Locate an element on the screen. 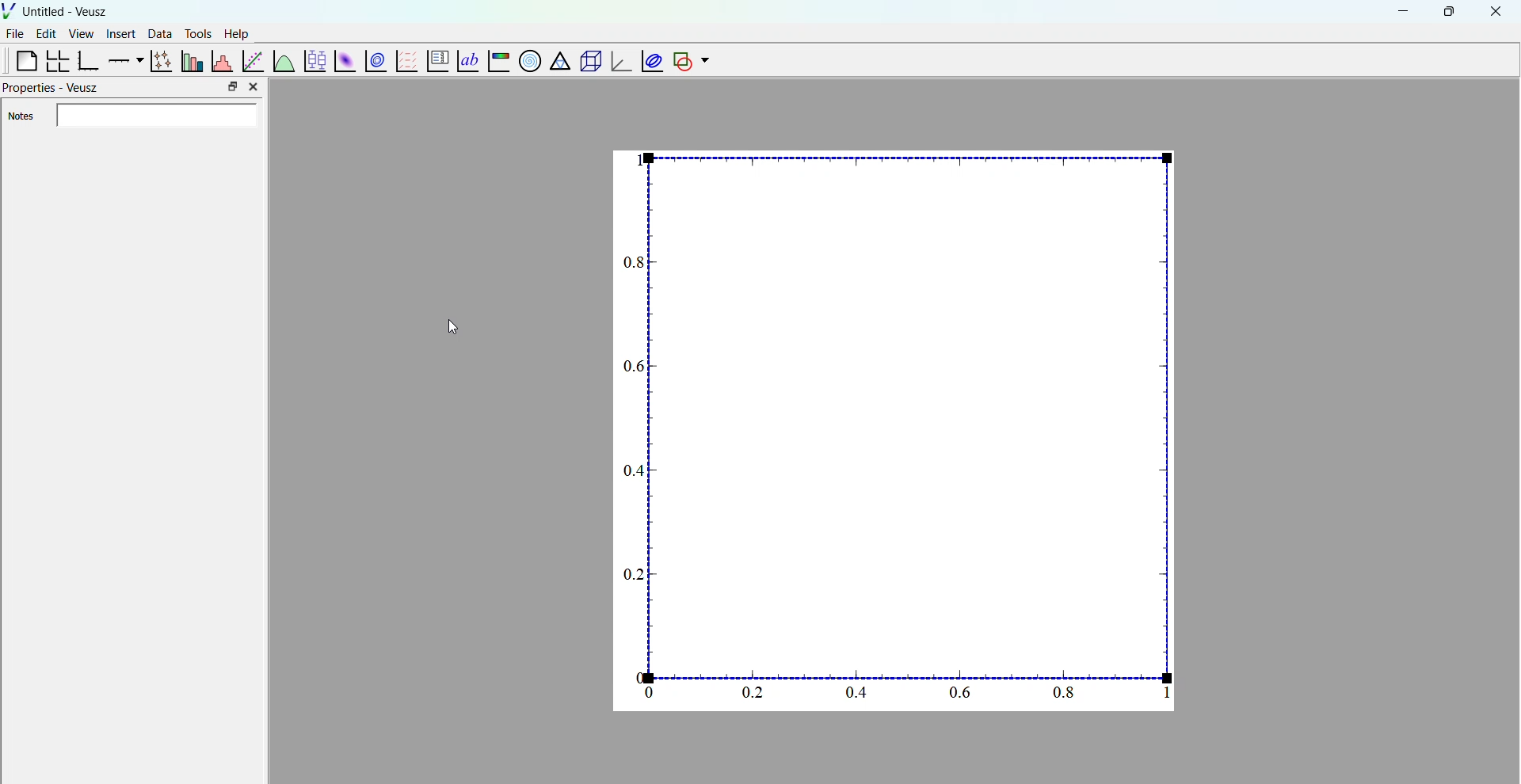 Image resolution: width=1521 pixels, height=784 pixels. Arrange a graph in a grid is located at coordinates (56, 62).